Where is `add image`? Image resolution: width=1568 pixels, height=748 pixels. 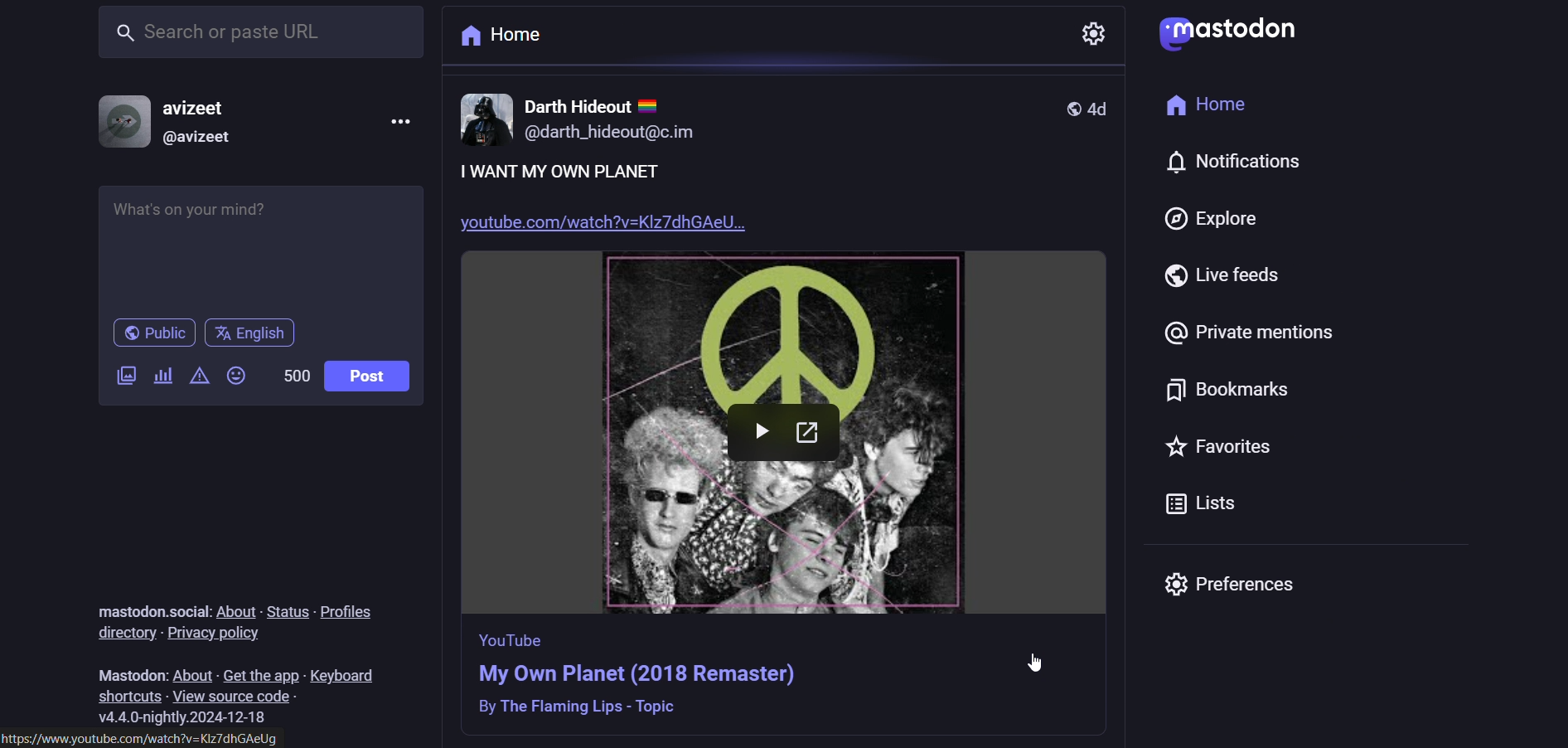
add image is located at coordinates (122, 376).